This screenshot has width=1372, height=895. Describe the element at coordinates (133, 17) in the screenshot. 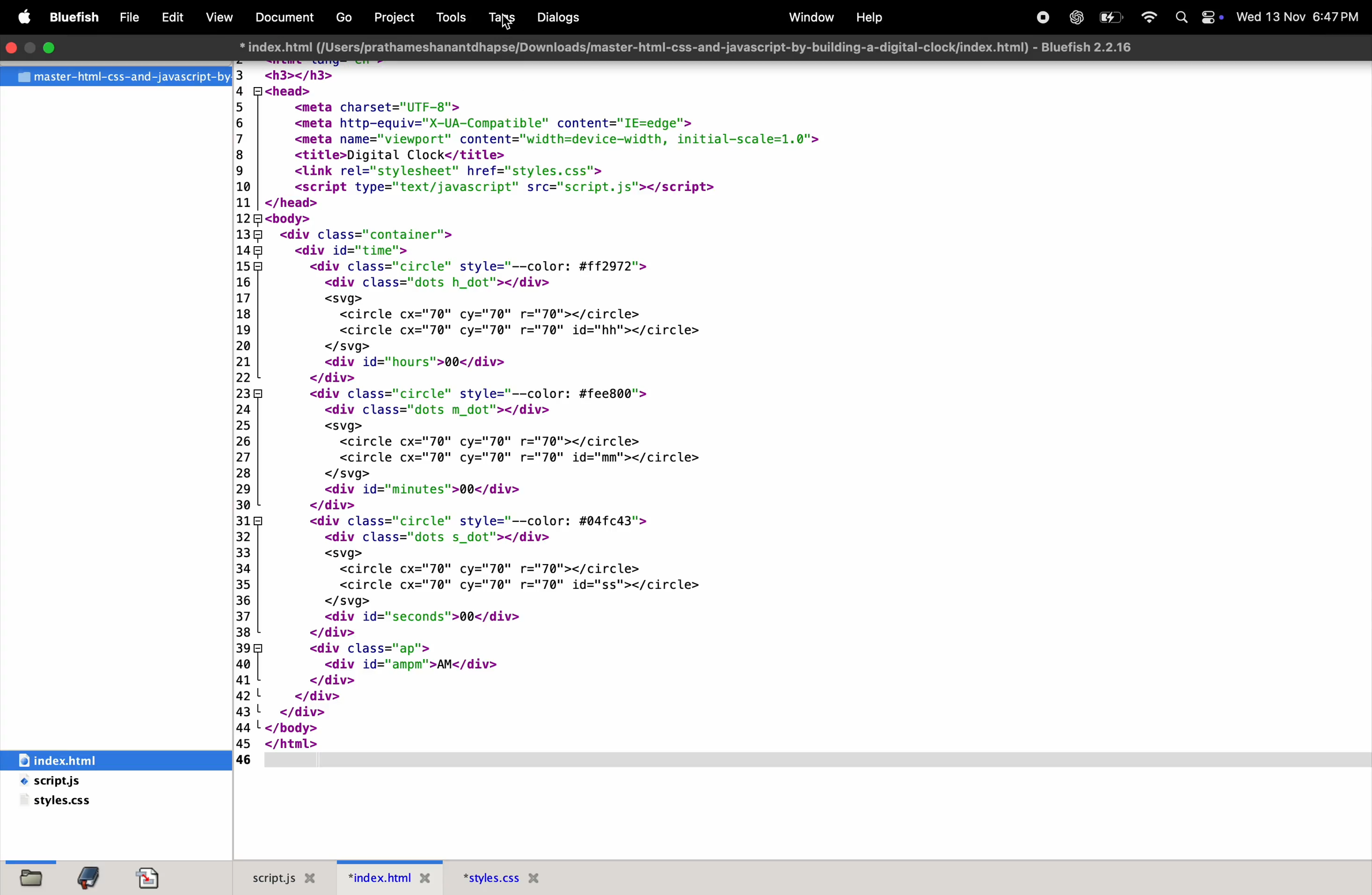

I see `File` at that location.